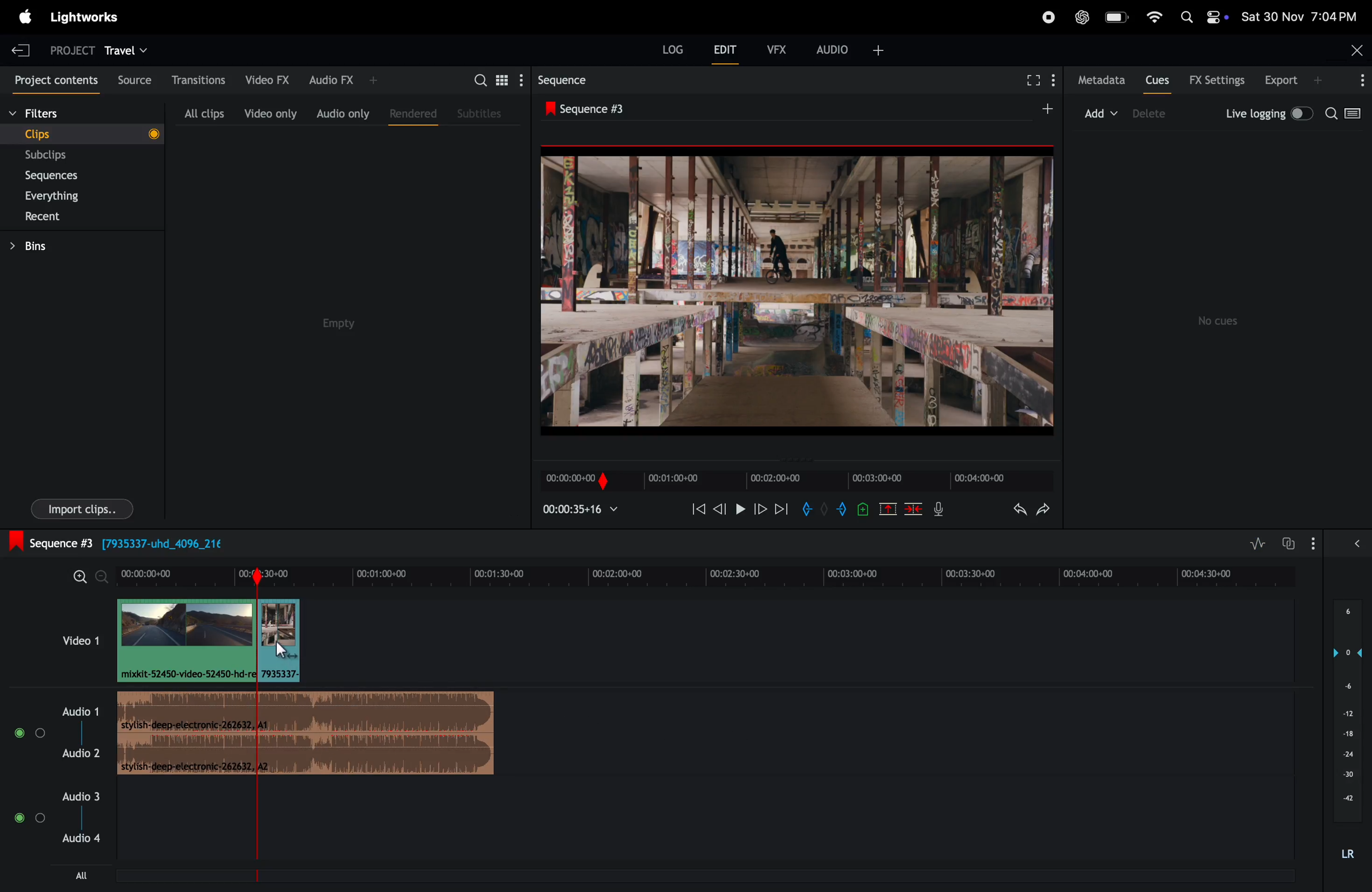  Describe the element at coordinates (67, 49) in the screenshot. I see `project` at that location.